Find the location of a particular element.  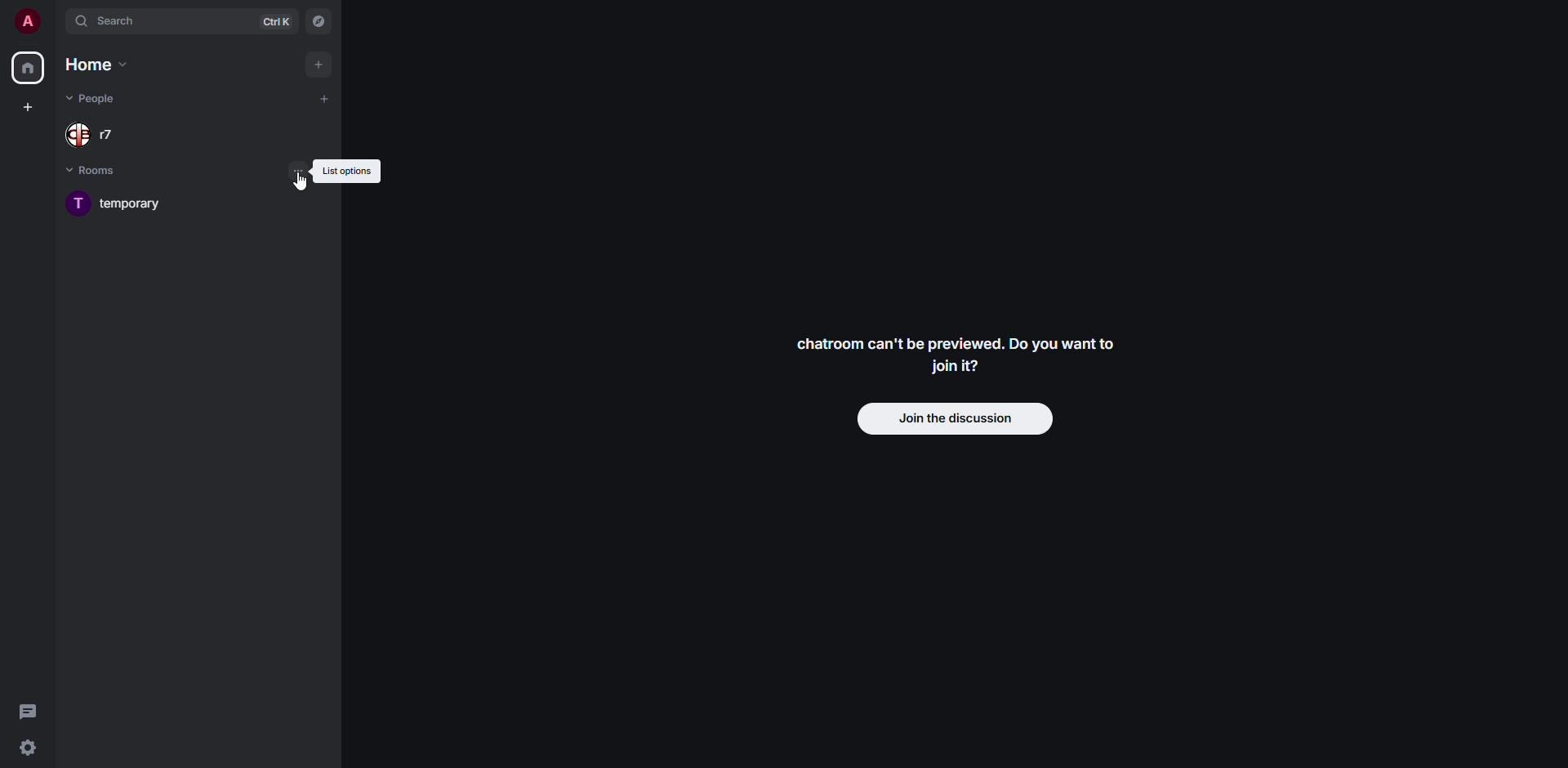

home is located at coordinates (100, 65).